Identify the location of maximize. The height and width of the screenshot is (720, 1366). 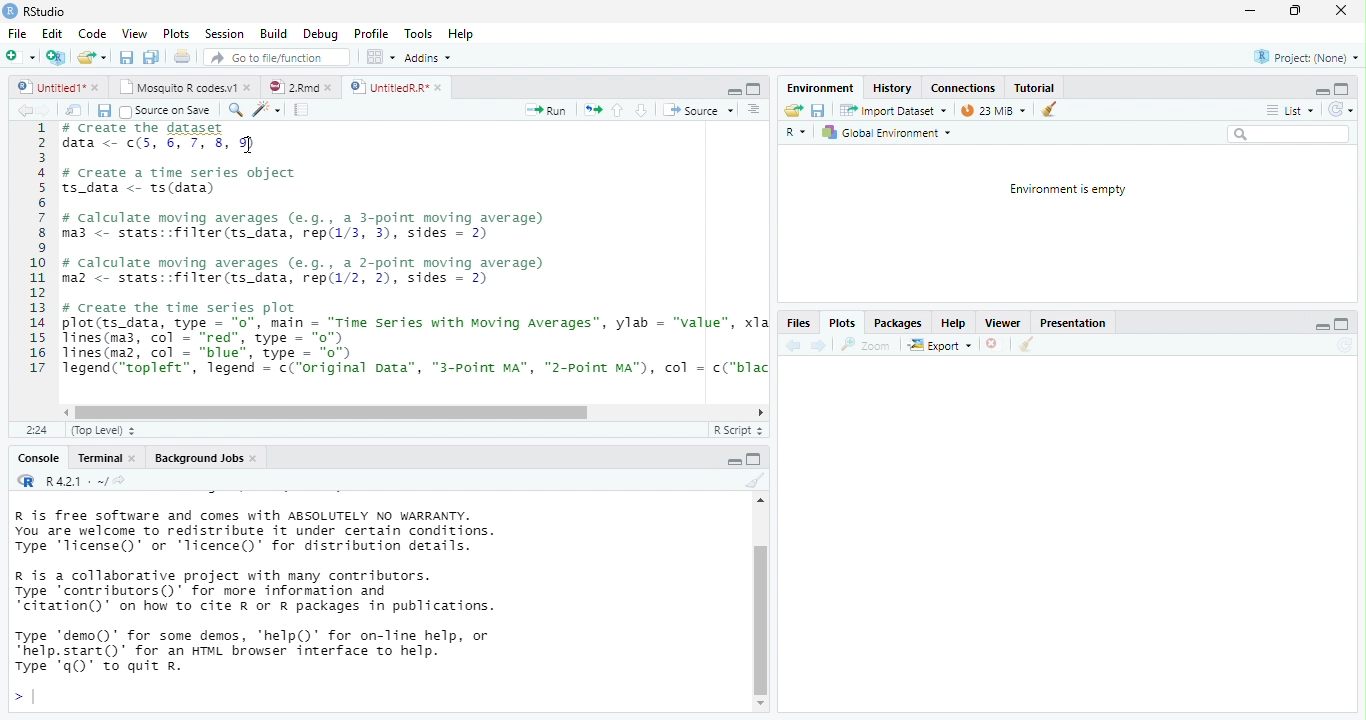
(754, 89).